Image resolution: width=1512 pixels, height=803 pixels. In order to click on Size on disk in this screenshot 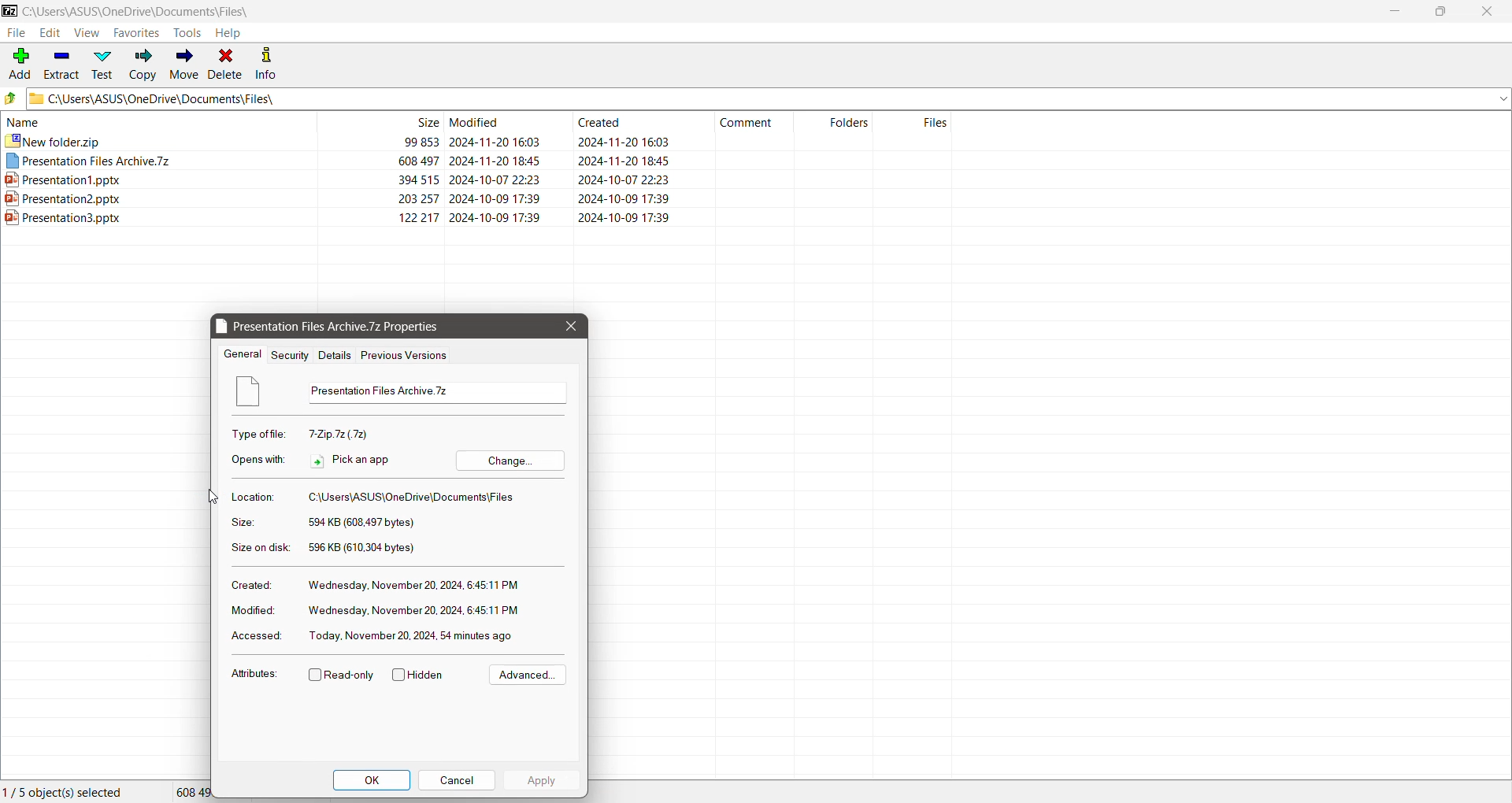, I will do `click(258, 549)`.